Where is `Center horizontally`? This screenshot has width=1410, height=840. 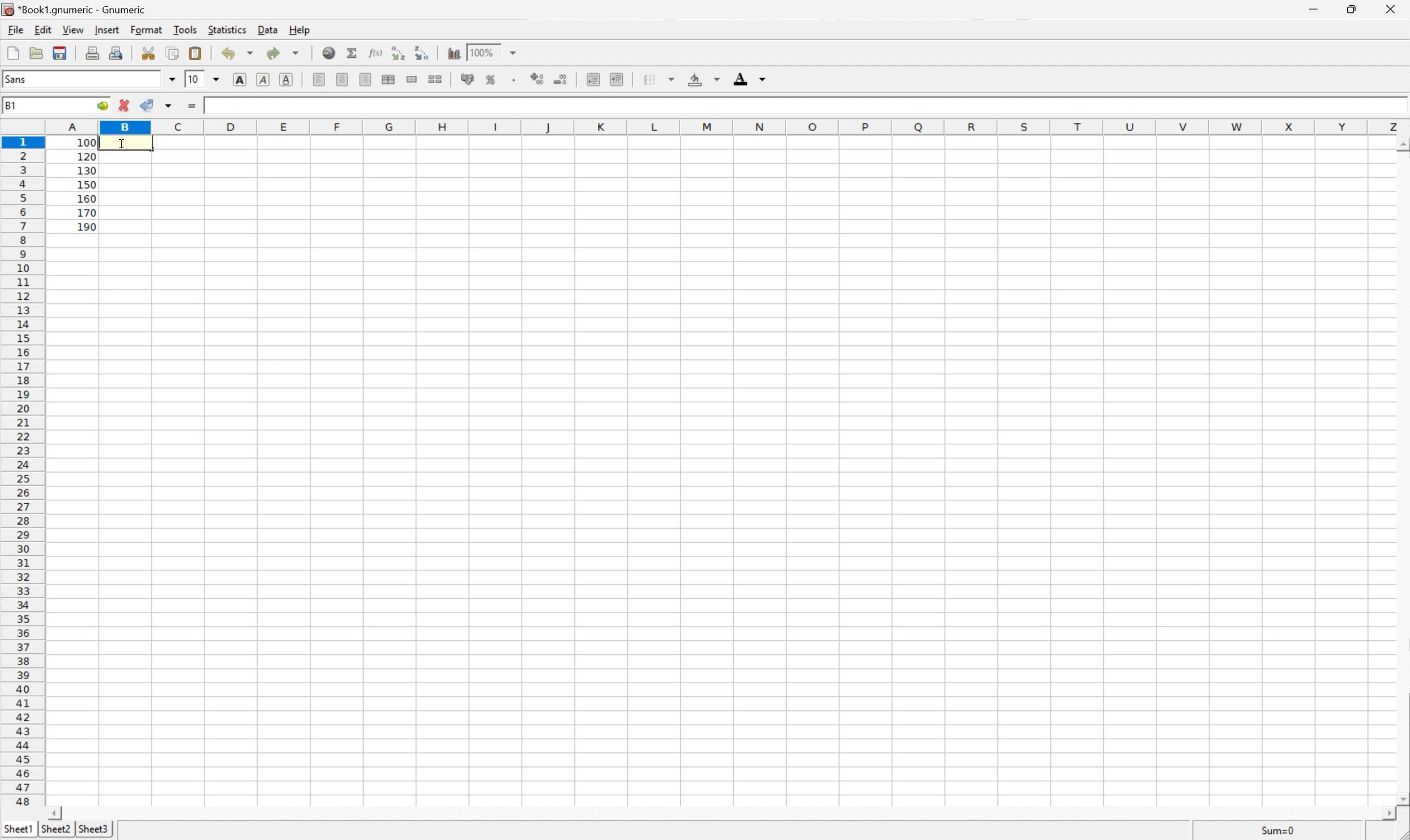
Center horizontally is located at coordinates (342, 79).